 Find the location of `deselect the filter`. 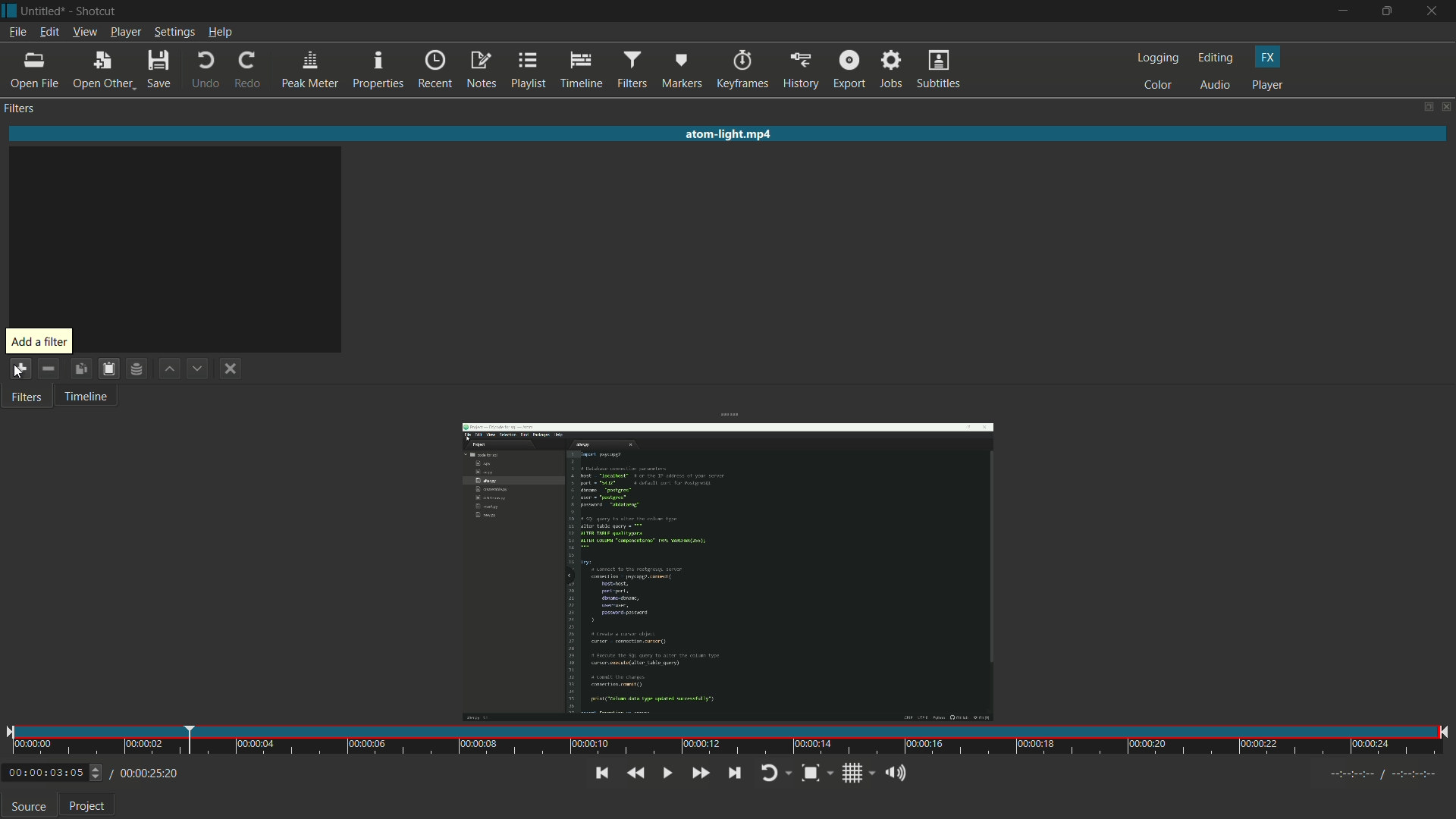

deselect the filter is located at coordinates (231, 370).